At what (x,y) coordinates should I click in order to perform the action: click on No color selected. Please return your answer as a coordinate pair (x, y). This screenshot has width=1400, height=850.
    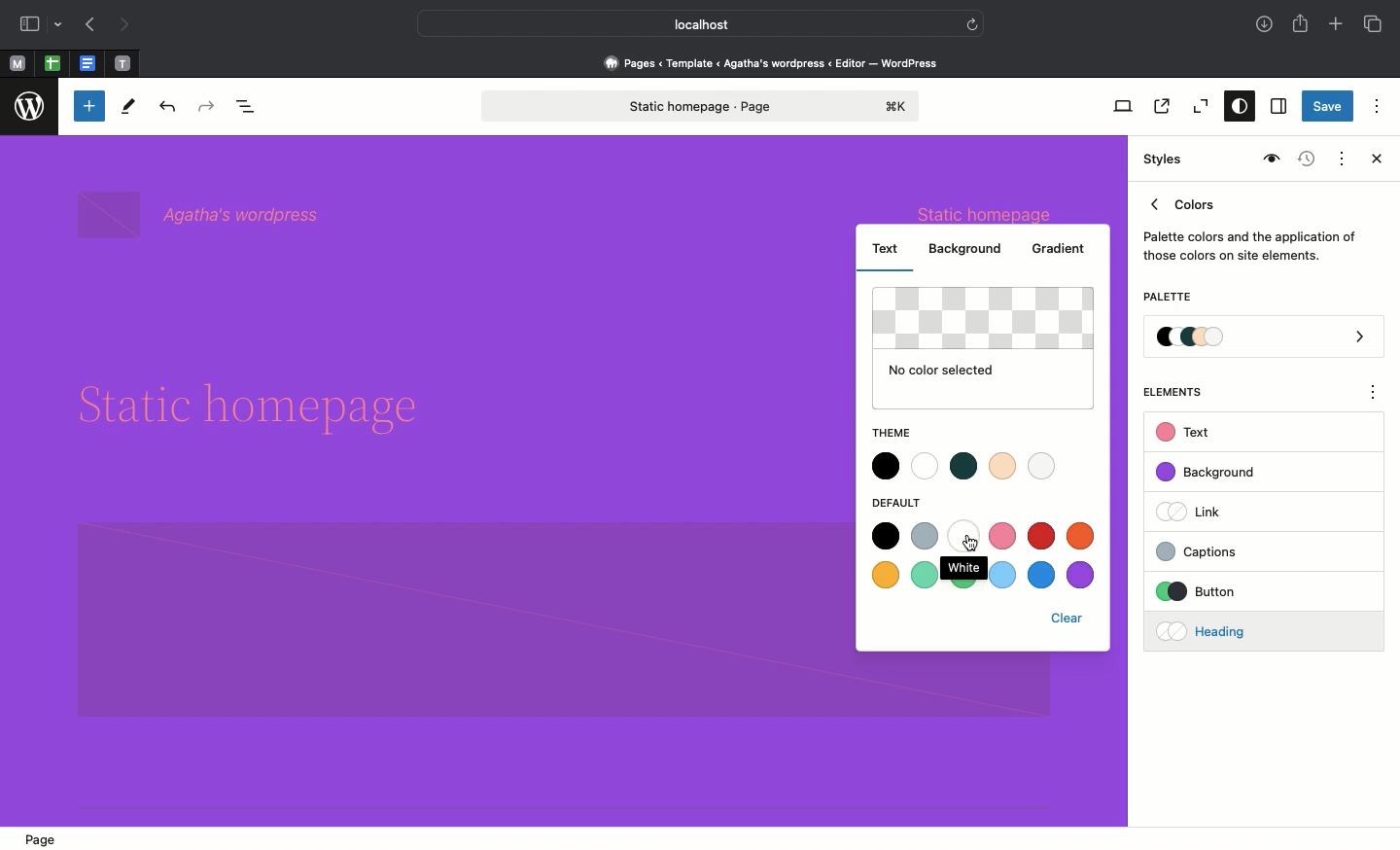
    Looking at the image, I should click on (985, 347).